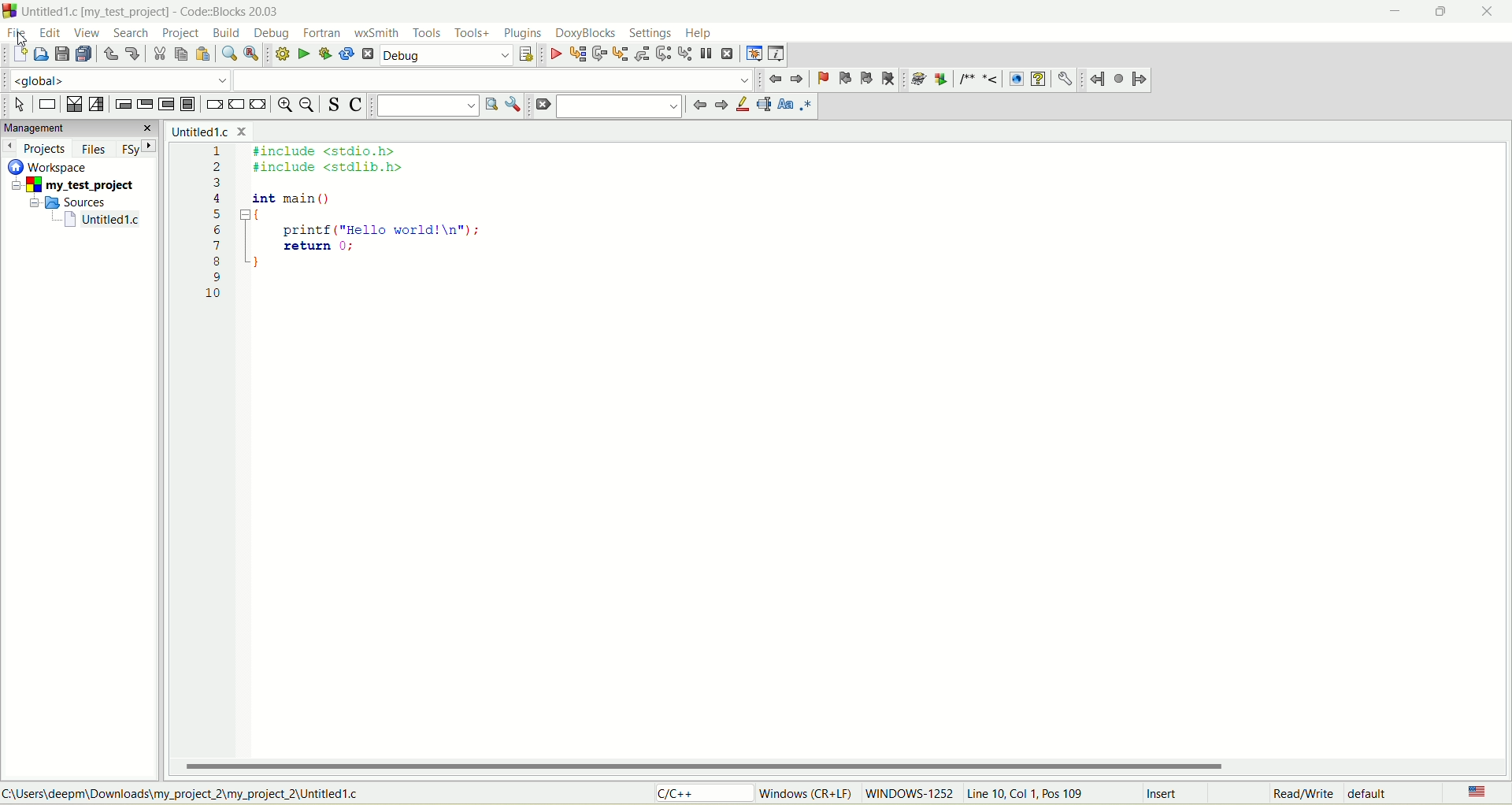  I want to click on maximize, so click(1436, 16).